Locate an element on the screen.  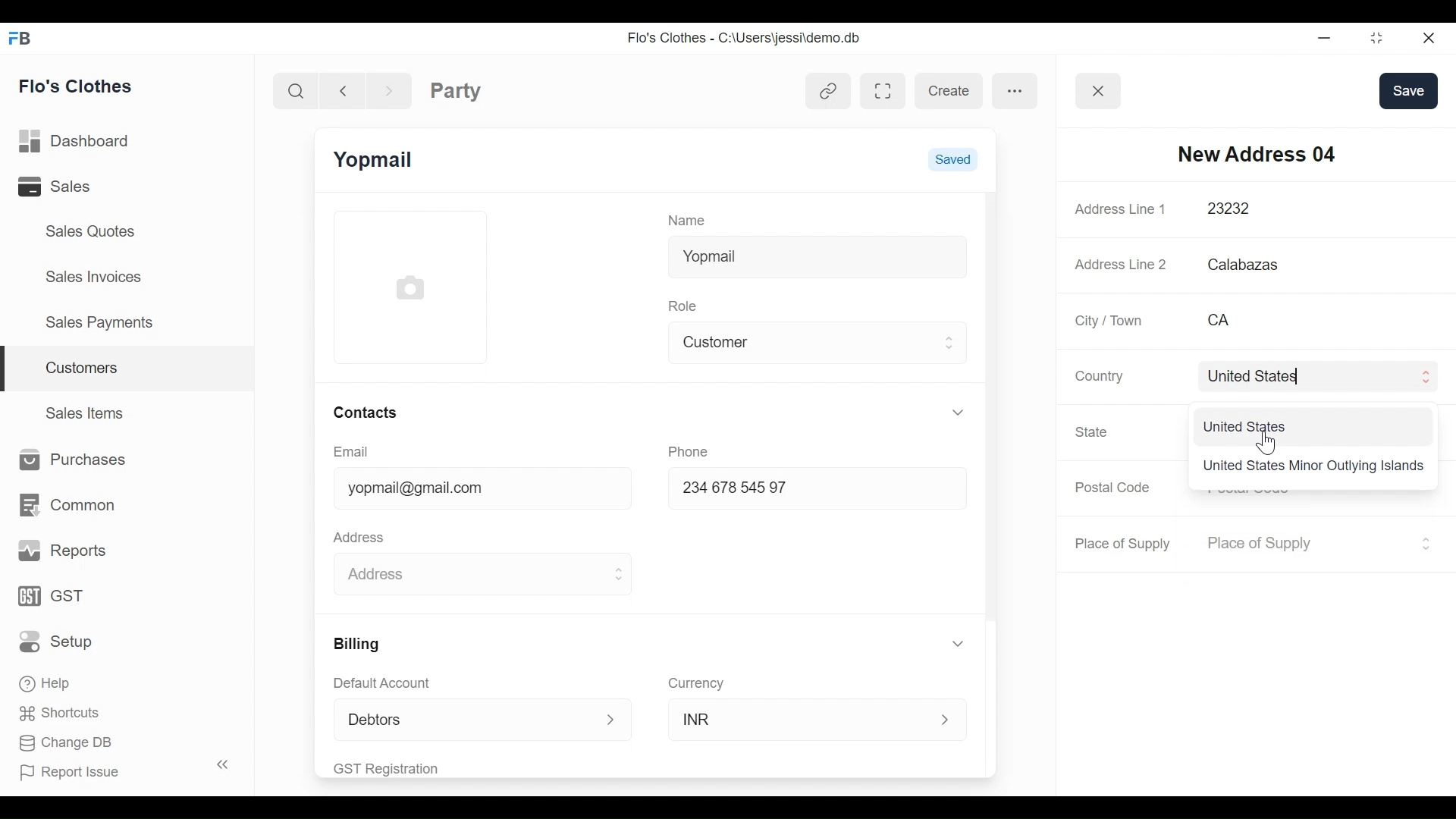
Expand is located at coordinates (951, 342).